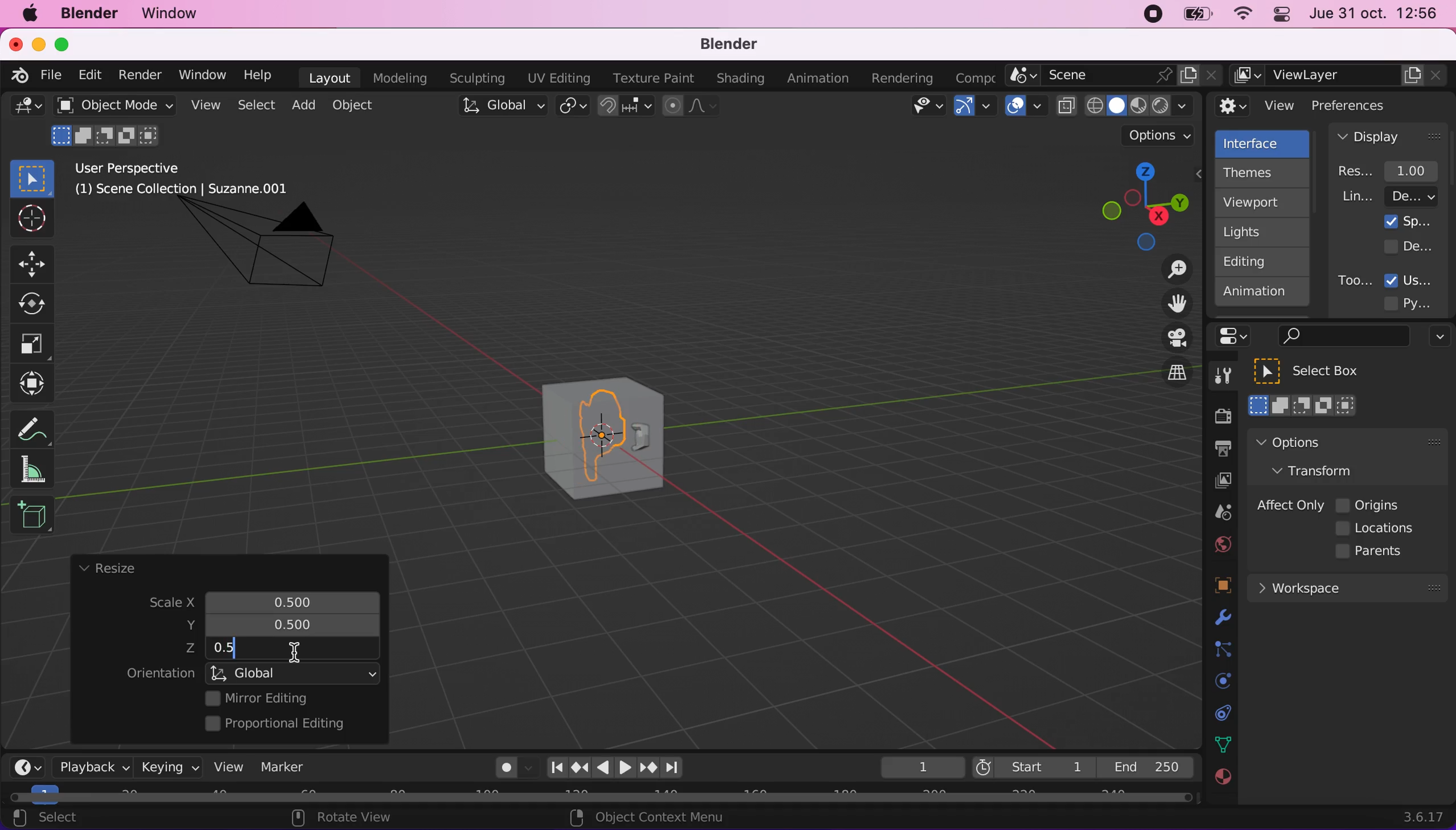 This screenshot has height=830, width=1456. Describe the element at coordinates (259, 74) in the screenshot. I see `help` at that location.